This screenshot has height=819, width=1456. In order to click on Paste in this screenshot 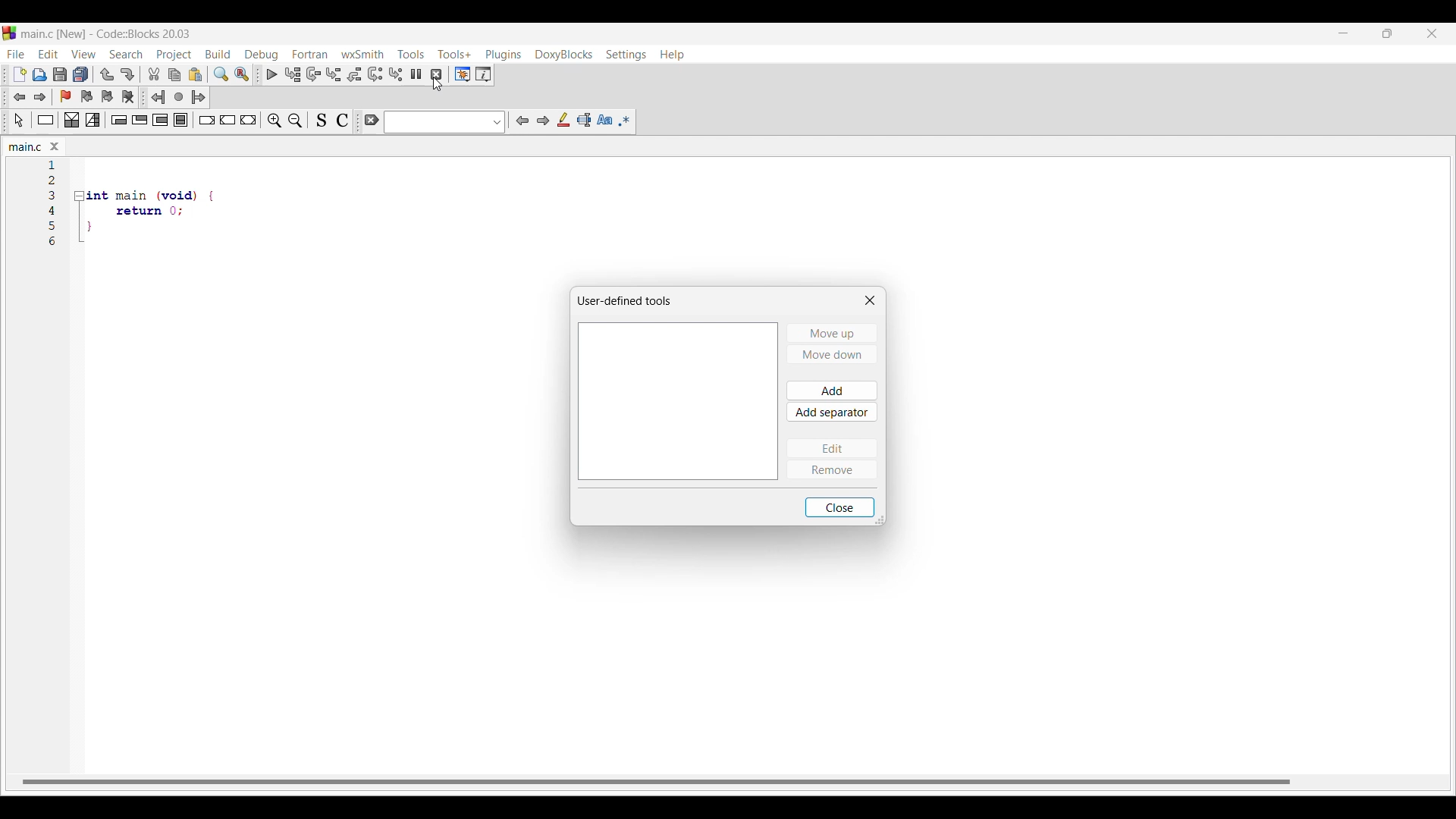, I will do `click(196, 74)`.